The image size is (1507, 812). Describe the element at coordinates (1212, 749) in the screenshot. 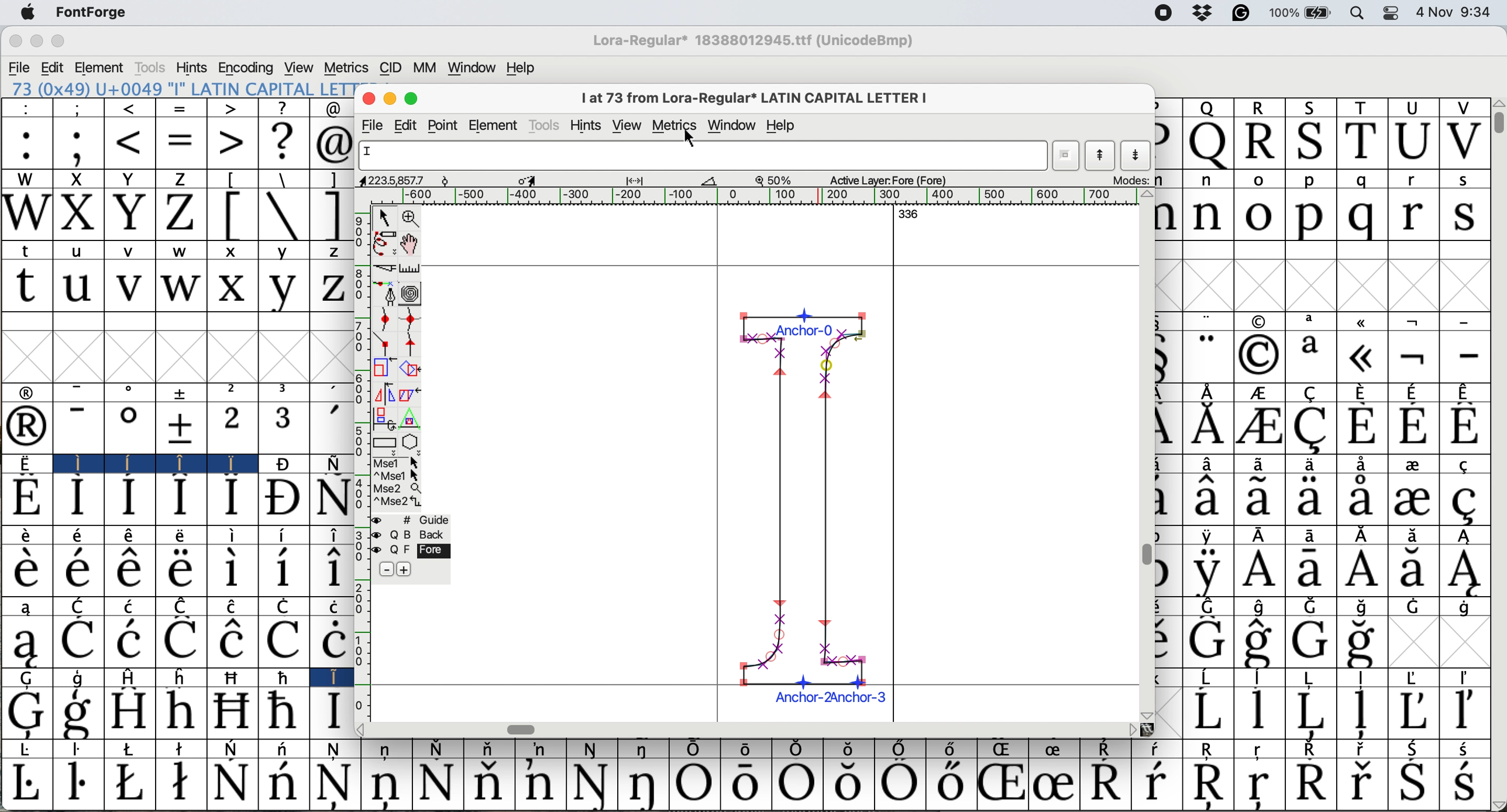

I see `Symbol` at that location.